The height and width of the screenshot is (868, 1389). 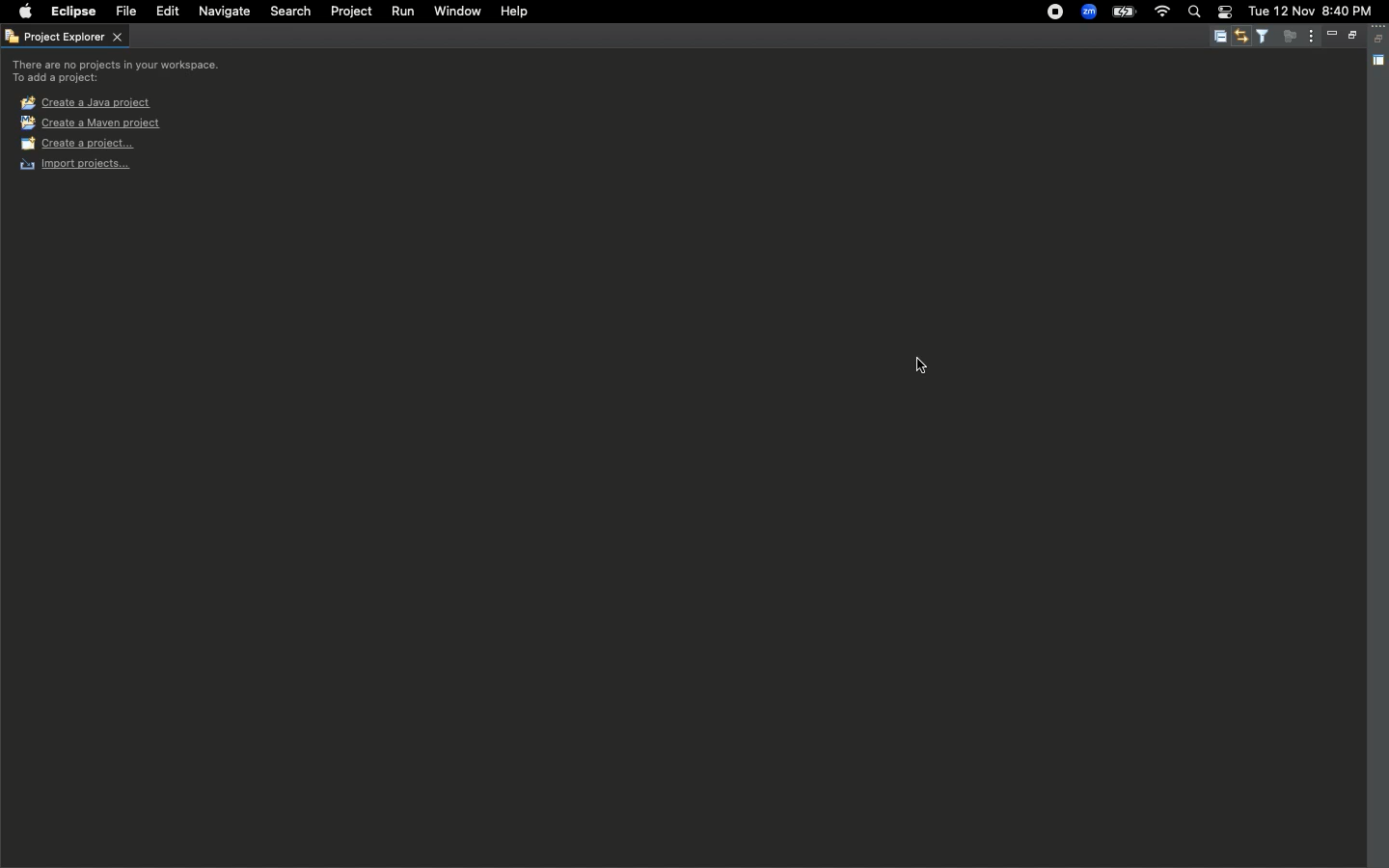 I want to click on Project, so click(x=353, y=13).